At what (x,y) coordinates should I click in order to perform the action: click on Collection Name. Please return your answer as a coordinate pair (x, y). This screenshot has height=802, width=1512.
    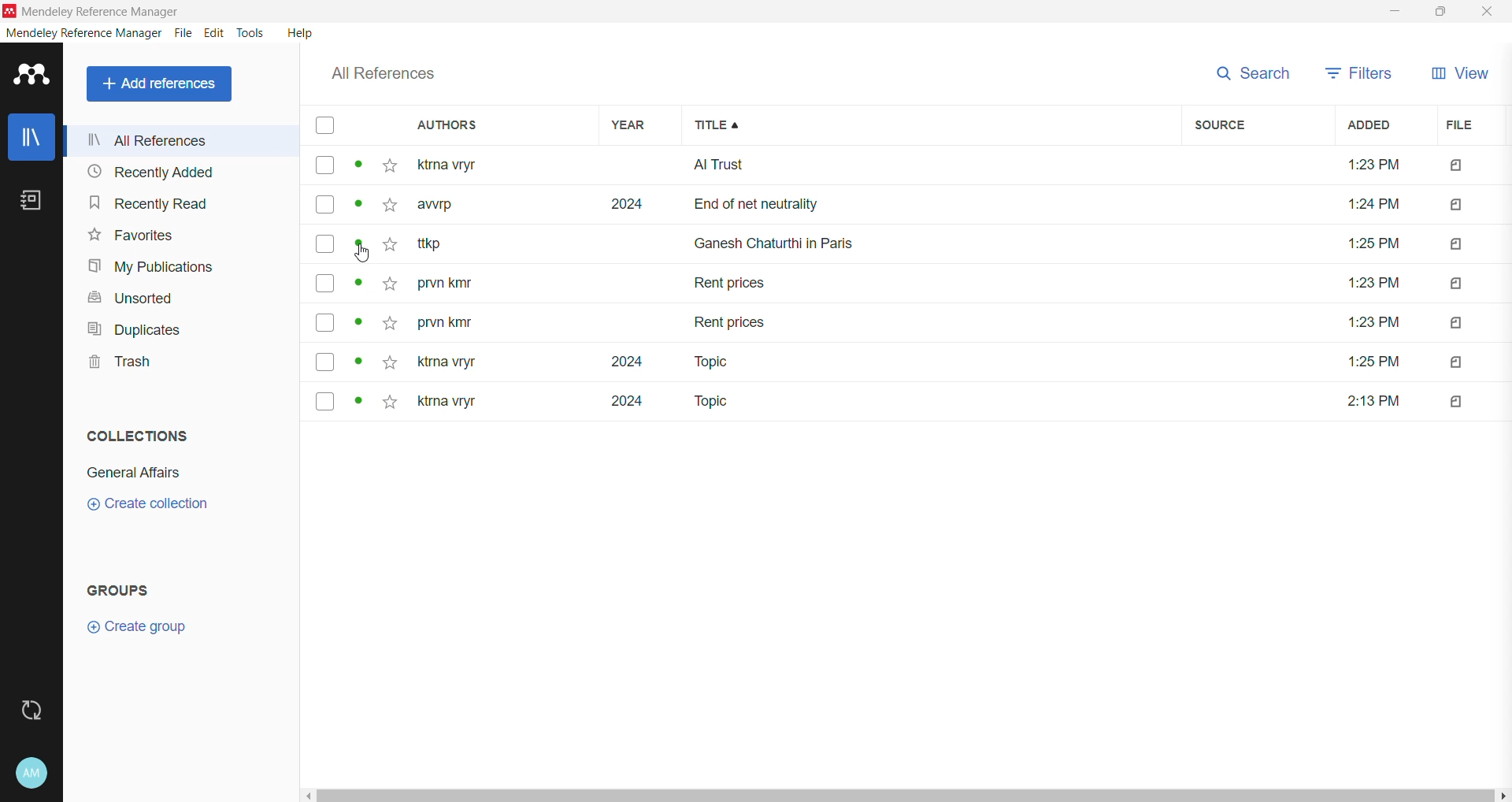
    Looking at the image, I should click on (137, 470).